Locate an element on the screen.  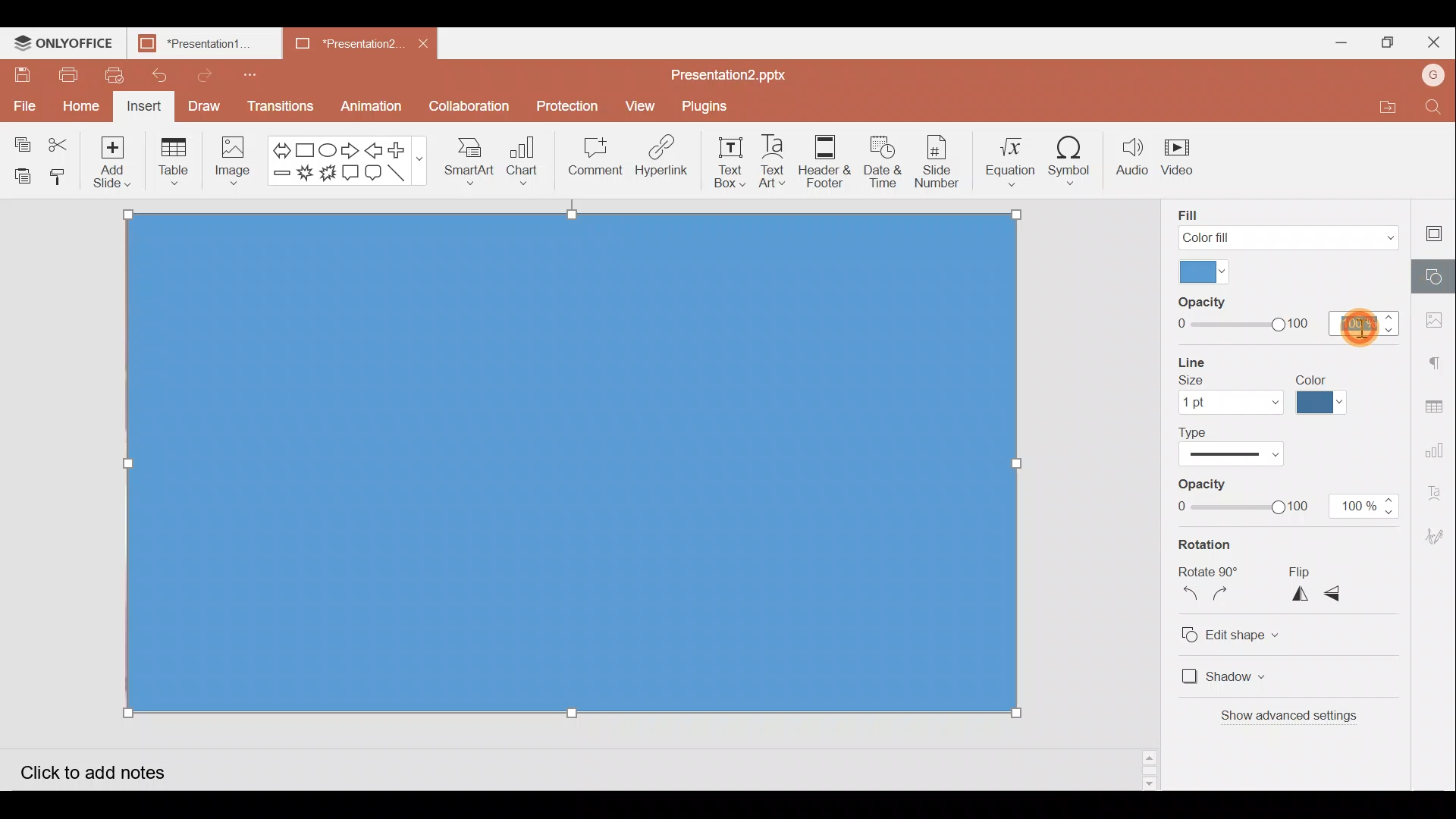
File is located at coordinates (20, 104).